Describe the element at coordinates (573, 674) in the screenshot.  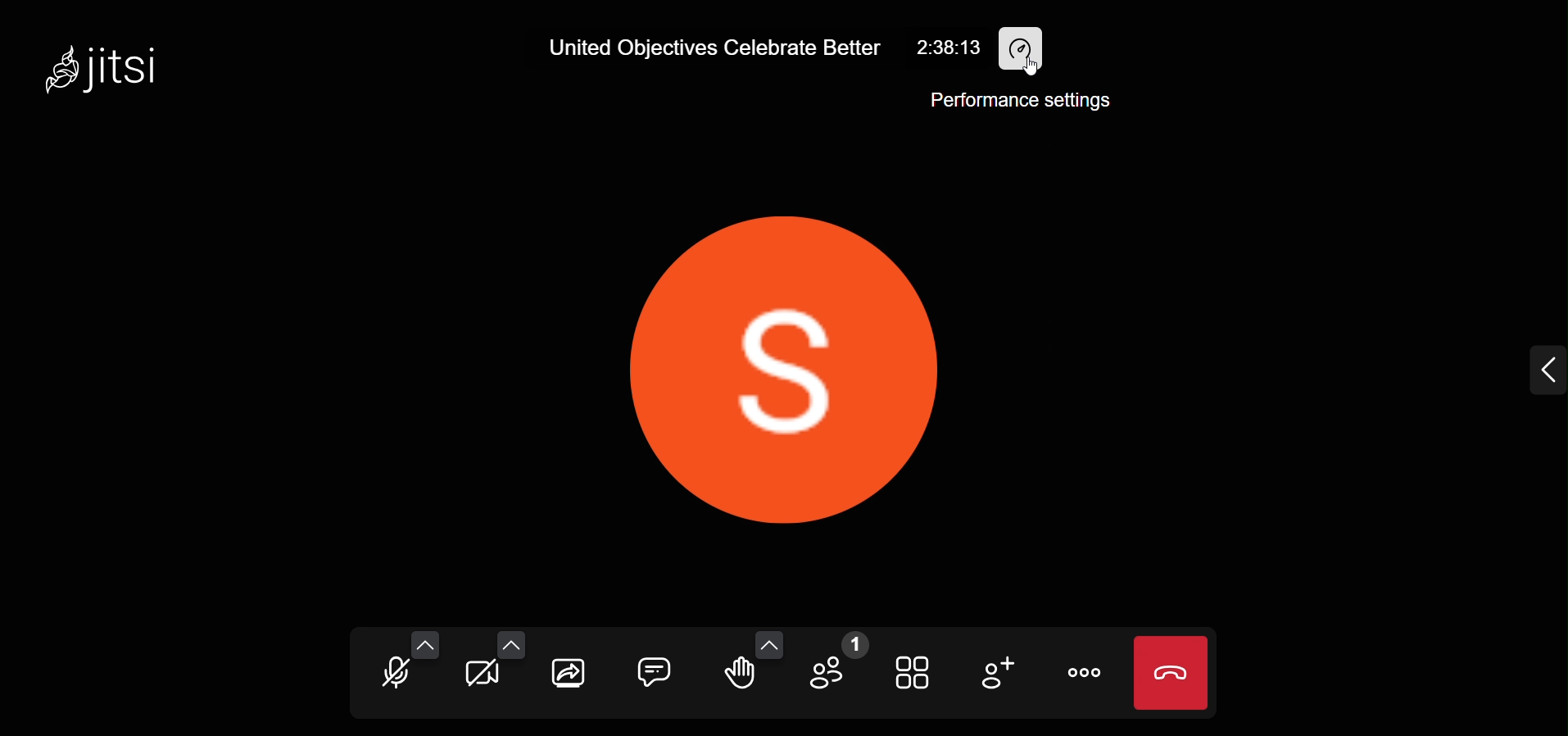
I see `share screen` at that location.